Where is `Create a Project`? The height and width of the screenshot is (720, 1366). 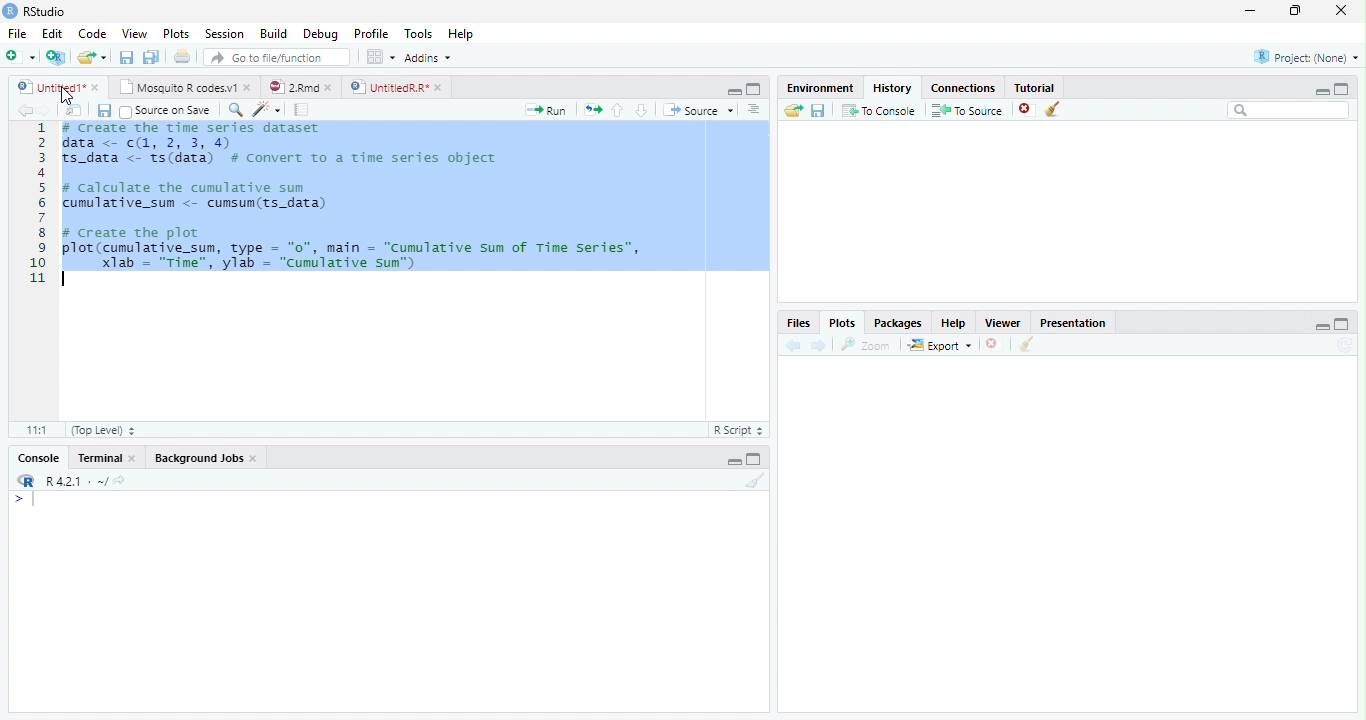
Create a Project is located at coordinates (56, 58).